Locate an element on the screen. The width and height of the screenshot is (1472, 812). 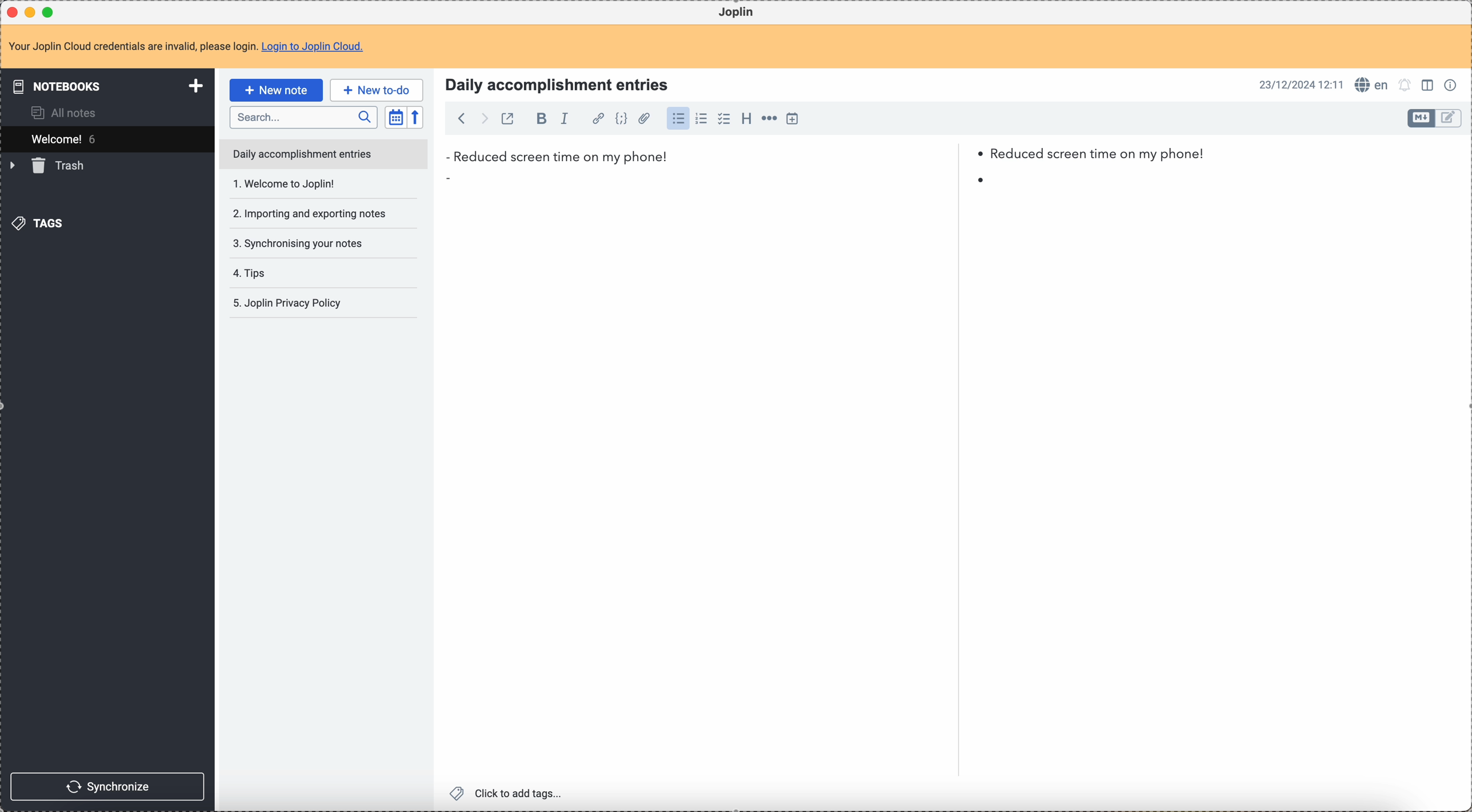
5. Joplin privacy policy is located at coordinates (289, 304).